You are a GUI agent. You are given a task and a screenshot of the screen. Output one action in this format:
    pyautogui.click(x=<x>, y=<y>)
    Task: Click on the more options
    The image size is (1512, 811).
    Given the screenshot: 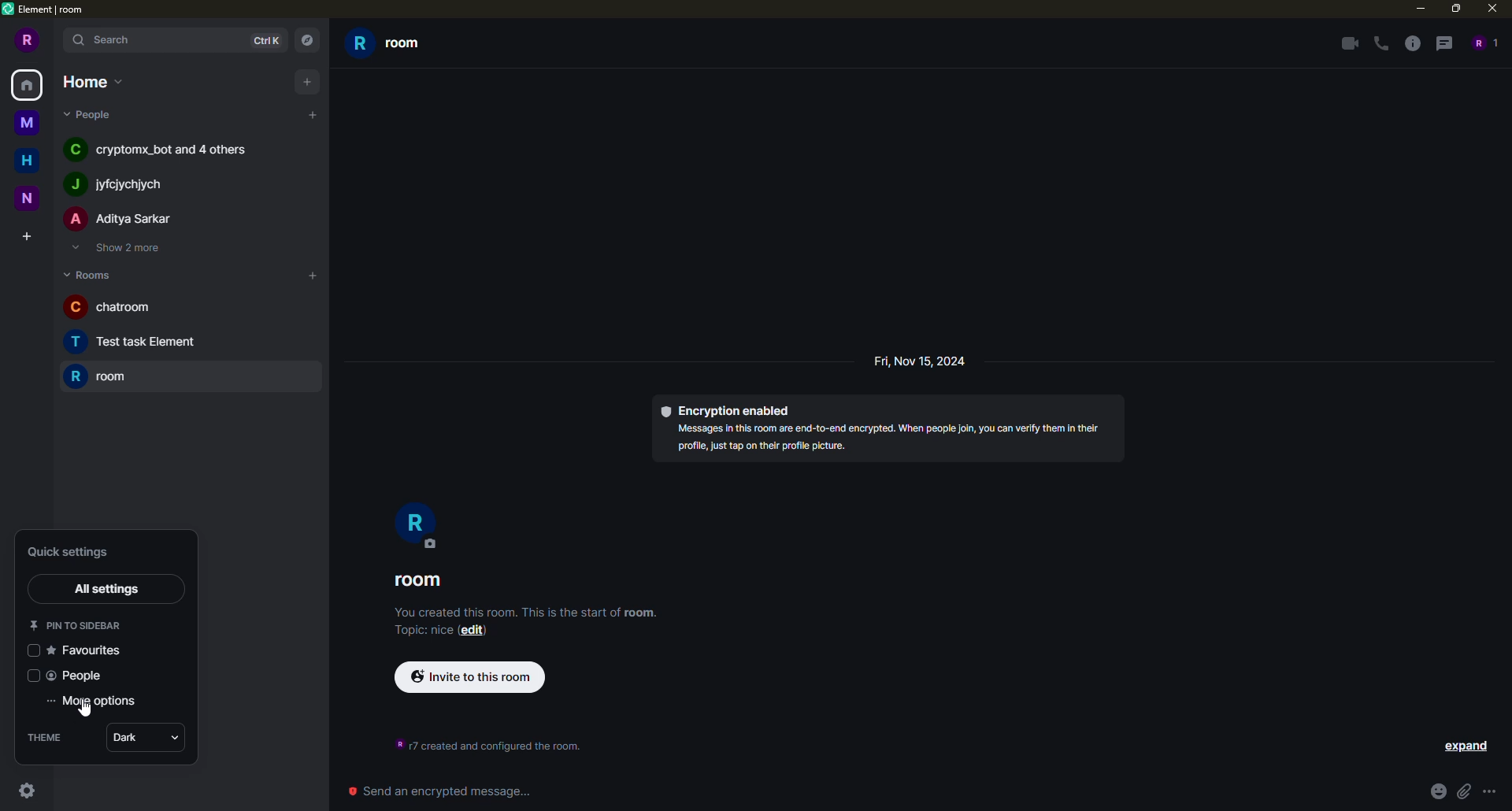 What is the action you would take?
    pyautogui.click(x=100, y=701)
    